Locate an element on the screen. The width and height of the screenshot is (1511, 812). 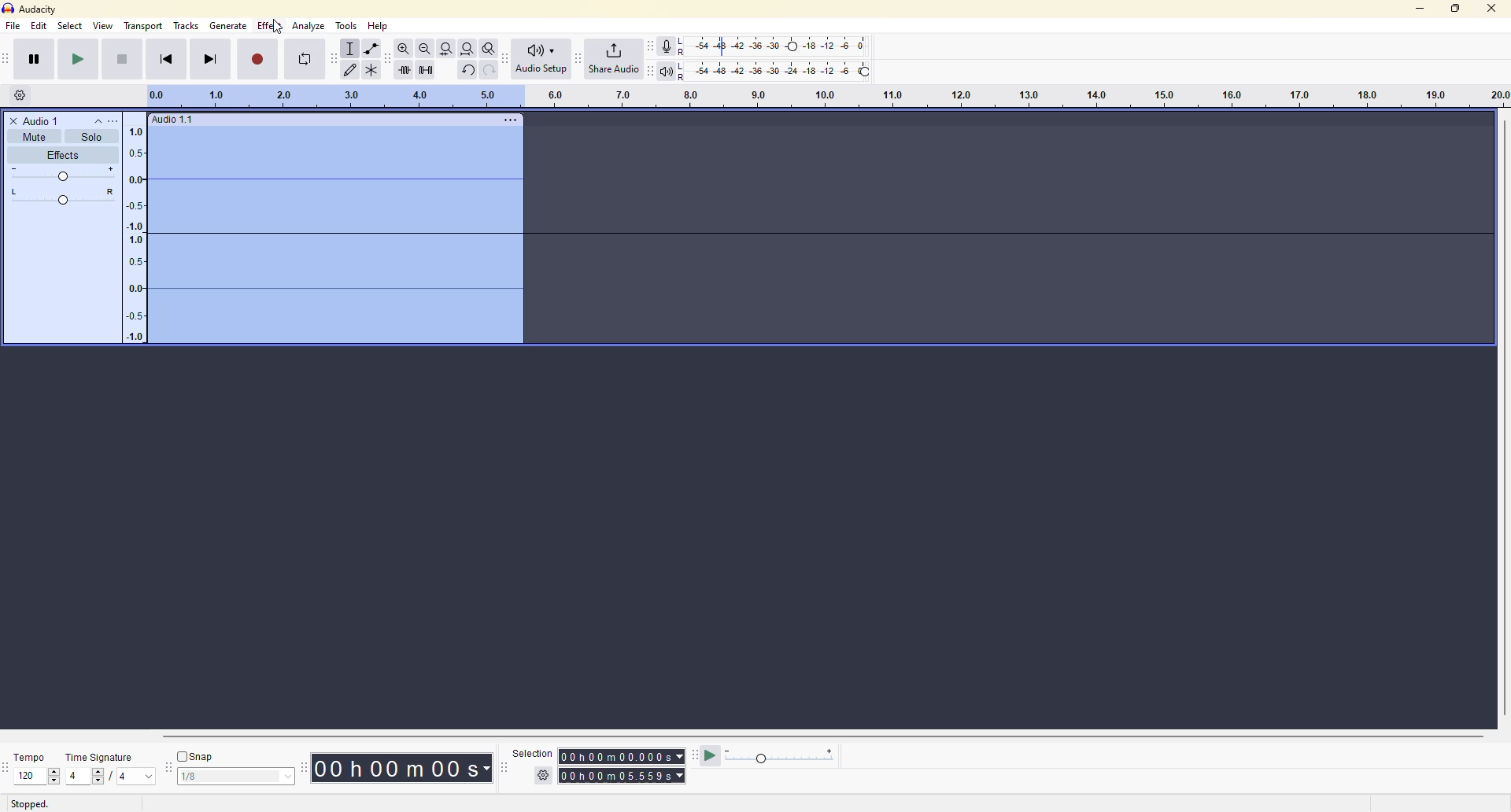
select is located at coordinates (284, 777).